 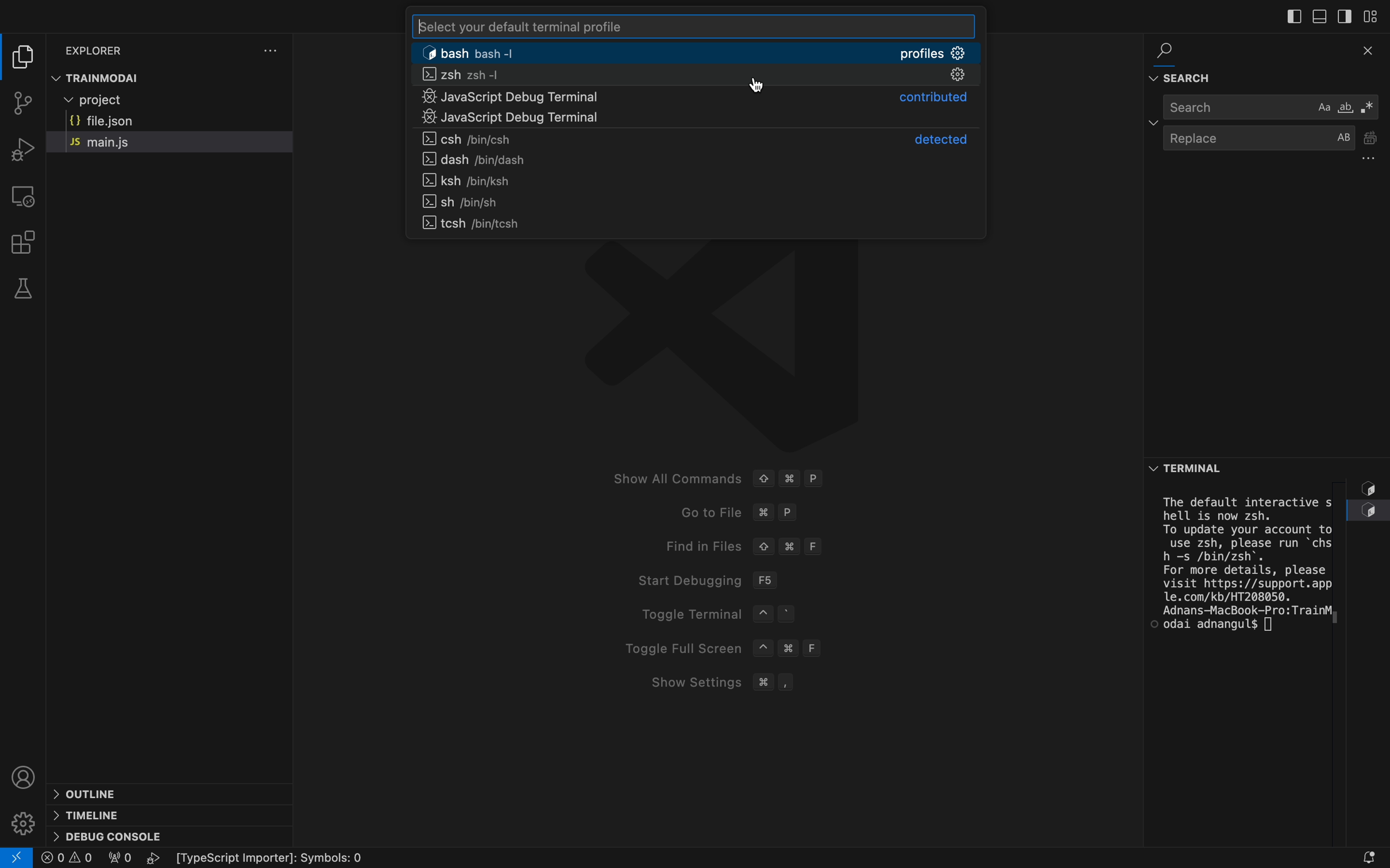 I want to click on find and replace, so click(x=1263, y=64).